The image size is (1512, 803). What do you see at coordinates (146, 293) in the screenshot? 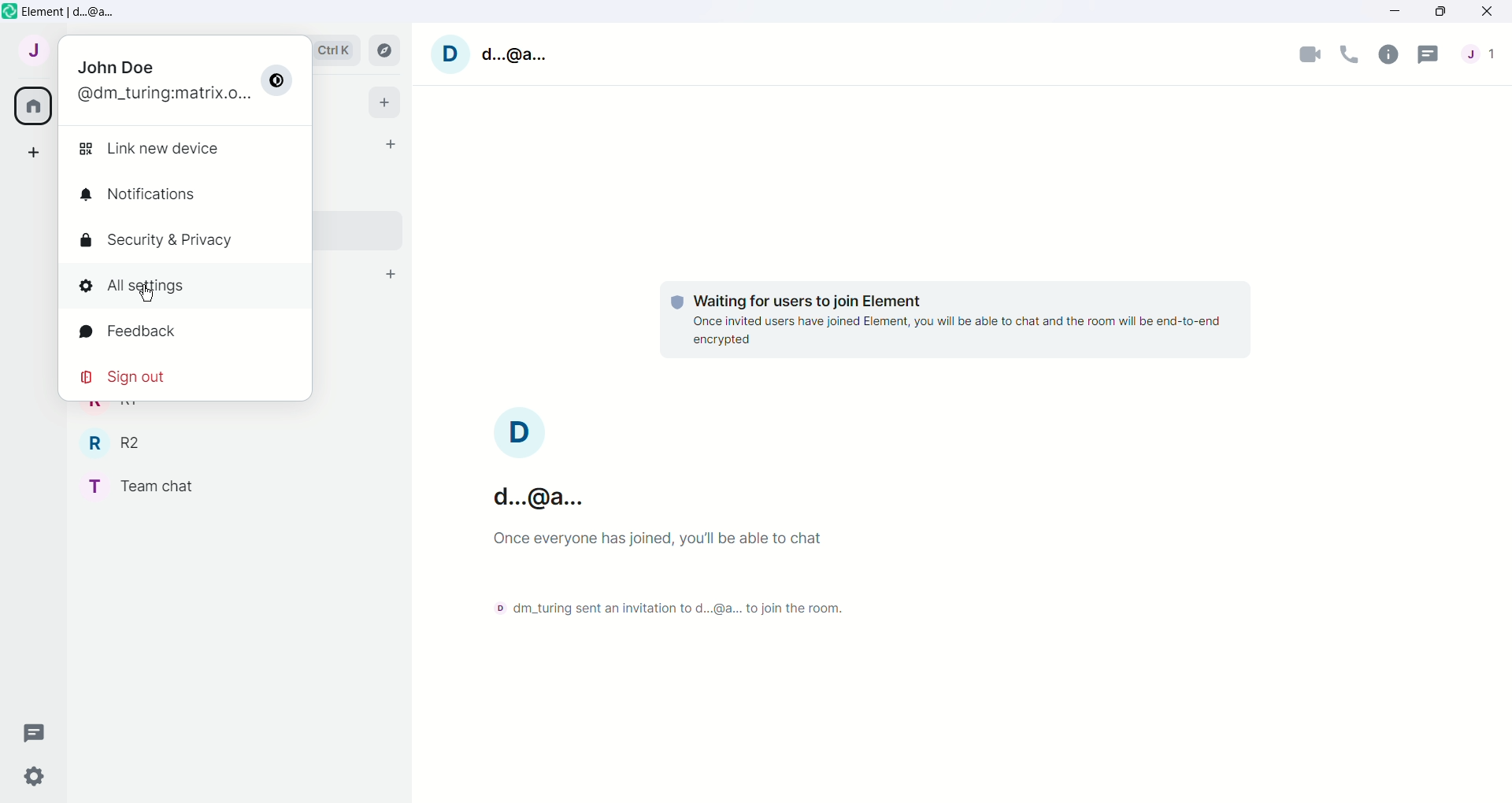
I see `Cursor` at bounding box center [146, 293].